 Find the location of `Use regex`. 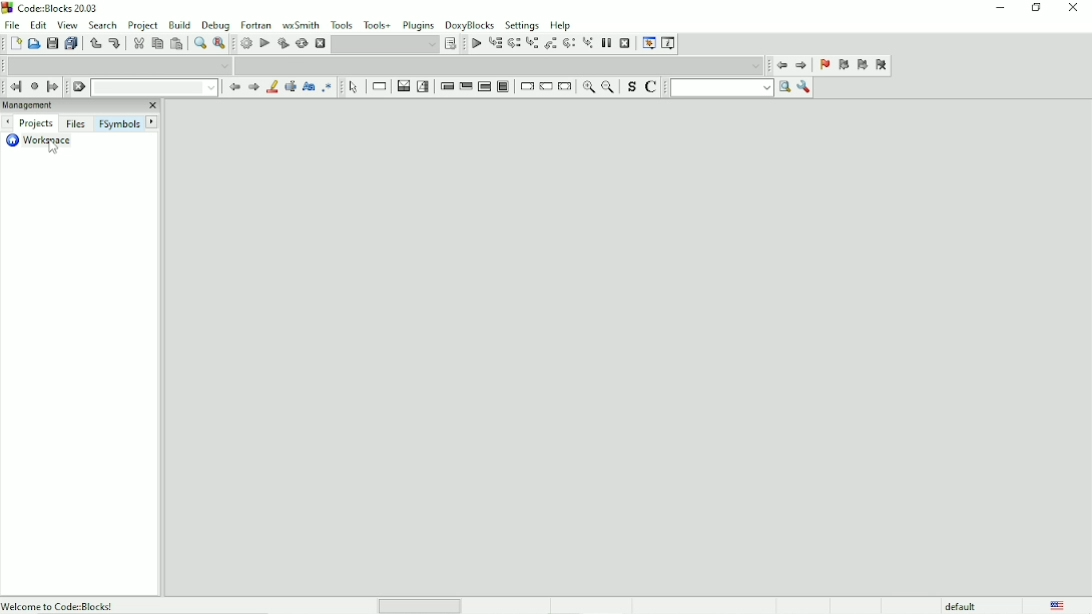

Use regex is located at coordinates (326, 87).